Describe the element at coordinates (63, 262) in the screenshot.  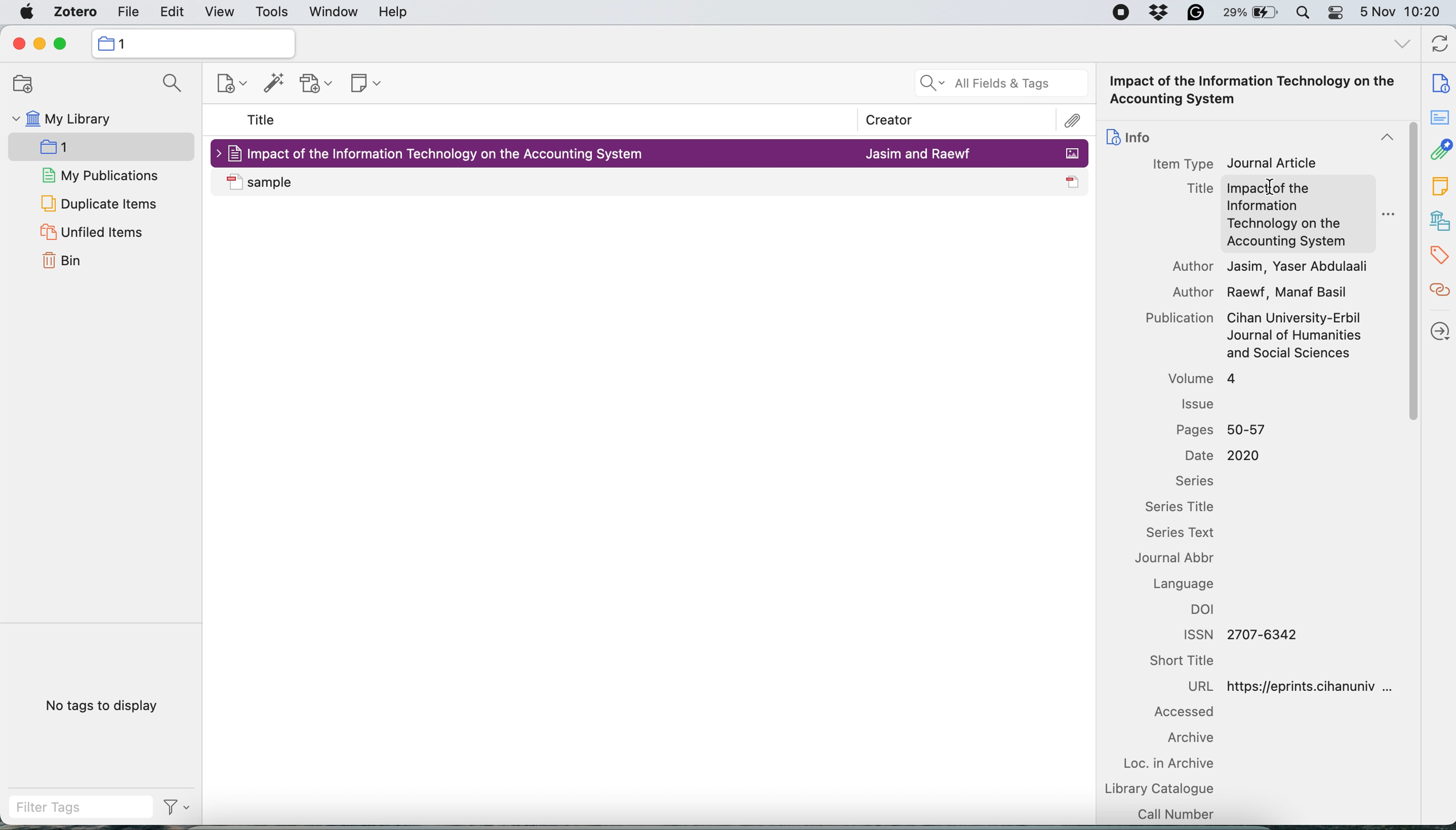
I see `bin` at that location.